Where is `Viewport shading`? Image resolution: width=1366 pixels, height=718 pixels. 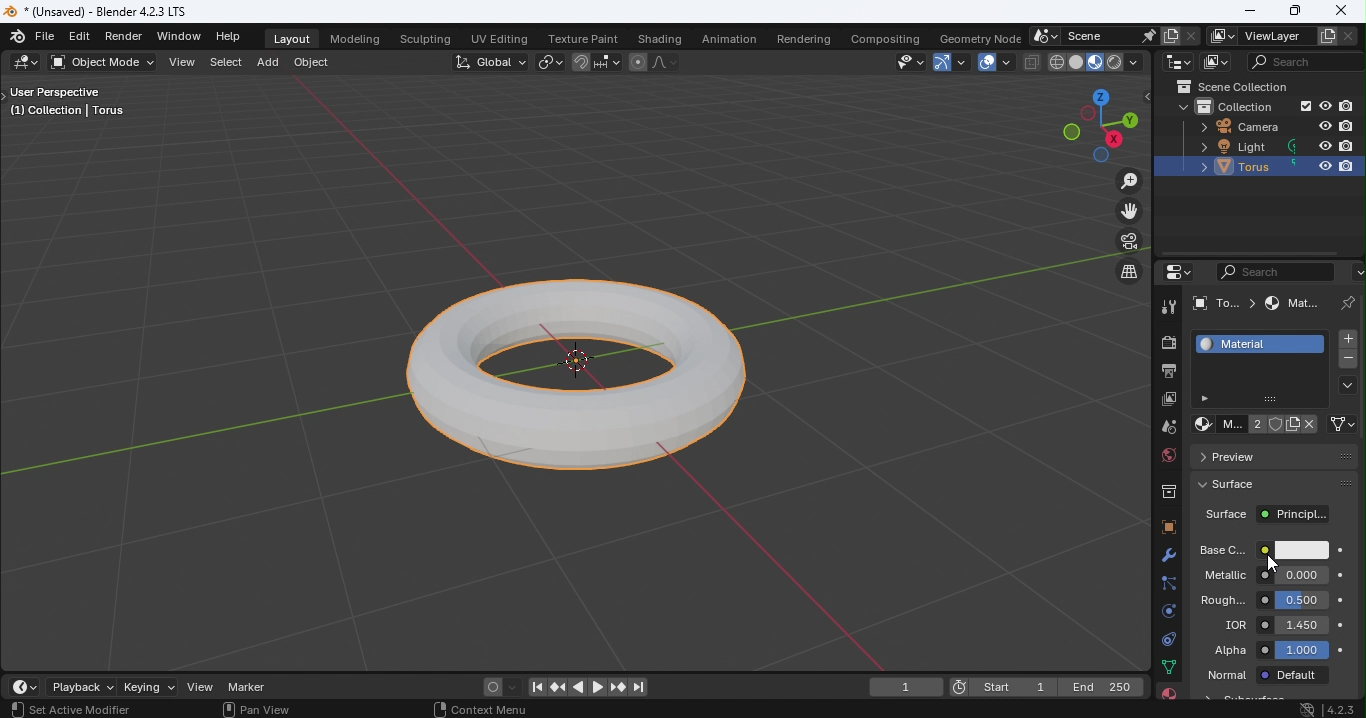
Viewport shading is located at coordinates (1114, 62).